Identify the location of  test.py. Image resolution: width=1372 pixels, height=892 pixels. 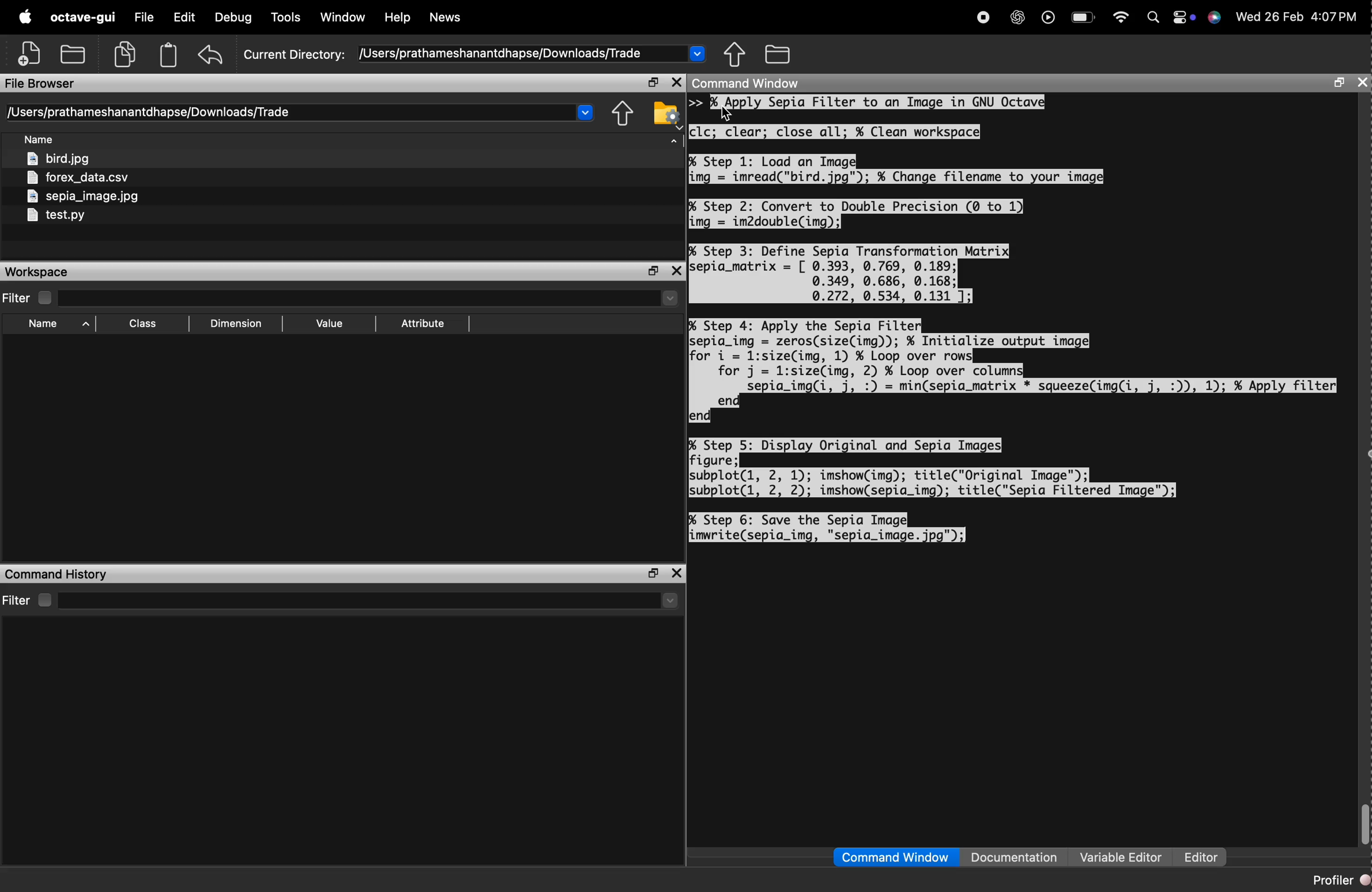
(56, 216).